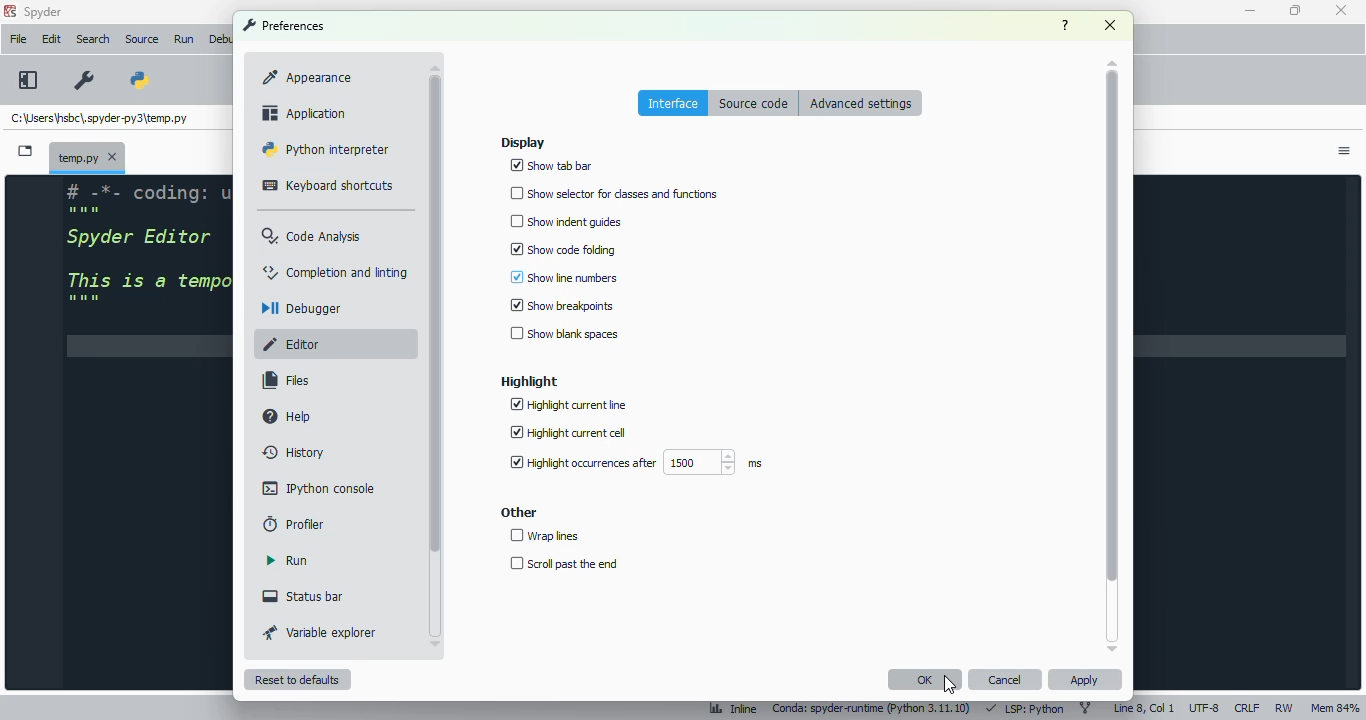  I want to click on vertical scroll bar, so click(1112, 326).